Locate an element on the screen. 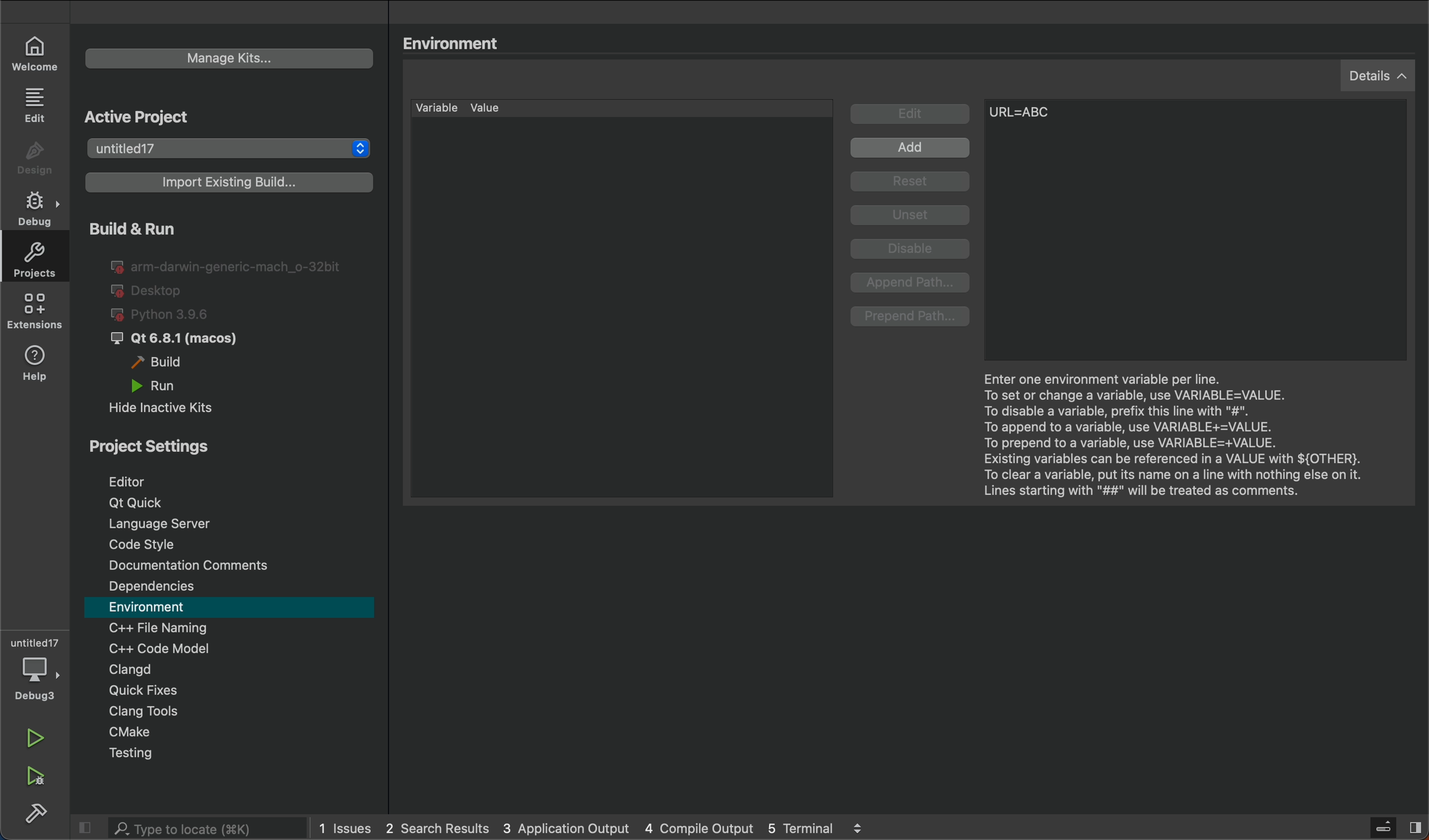  run and debug is located at coordinates (40, 778).